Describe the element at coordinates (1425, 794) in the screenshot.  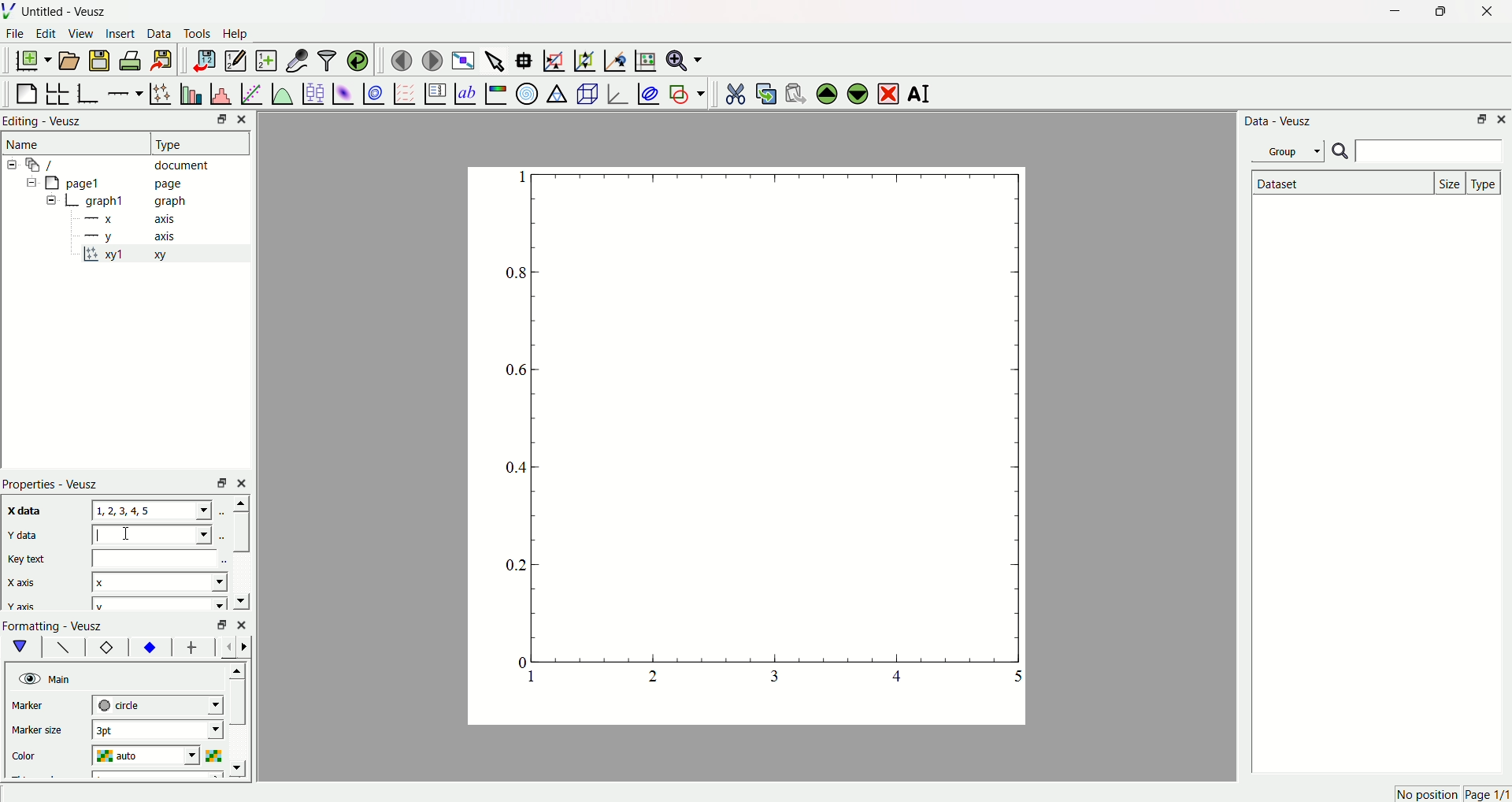
I see `no position` at that location.